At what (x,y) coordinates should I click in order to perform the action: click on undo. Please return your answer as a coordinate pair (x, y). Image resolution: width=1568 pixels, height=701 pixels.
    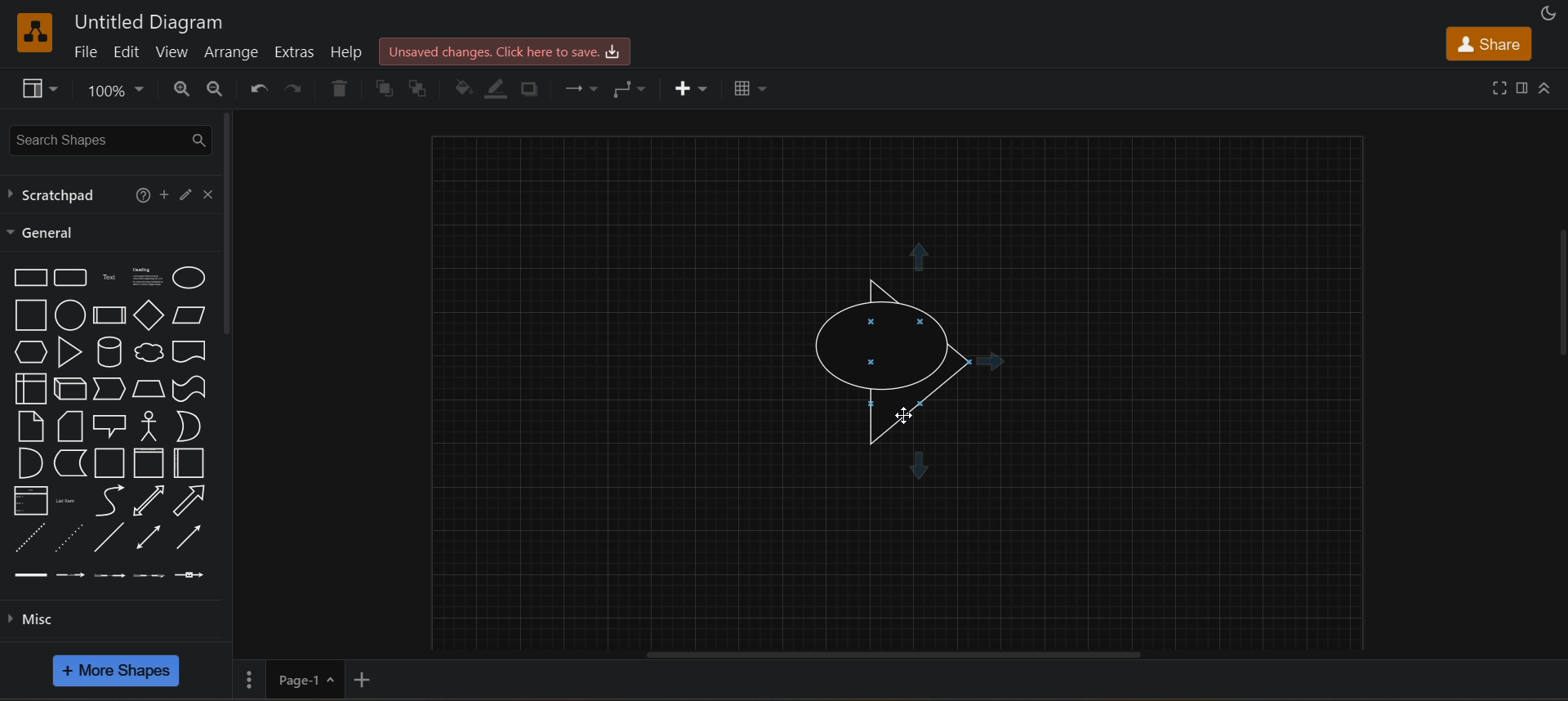
    Looking at the image, I should click on (256, 88).